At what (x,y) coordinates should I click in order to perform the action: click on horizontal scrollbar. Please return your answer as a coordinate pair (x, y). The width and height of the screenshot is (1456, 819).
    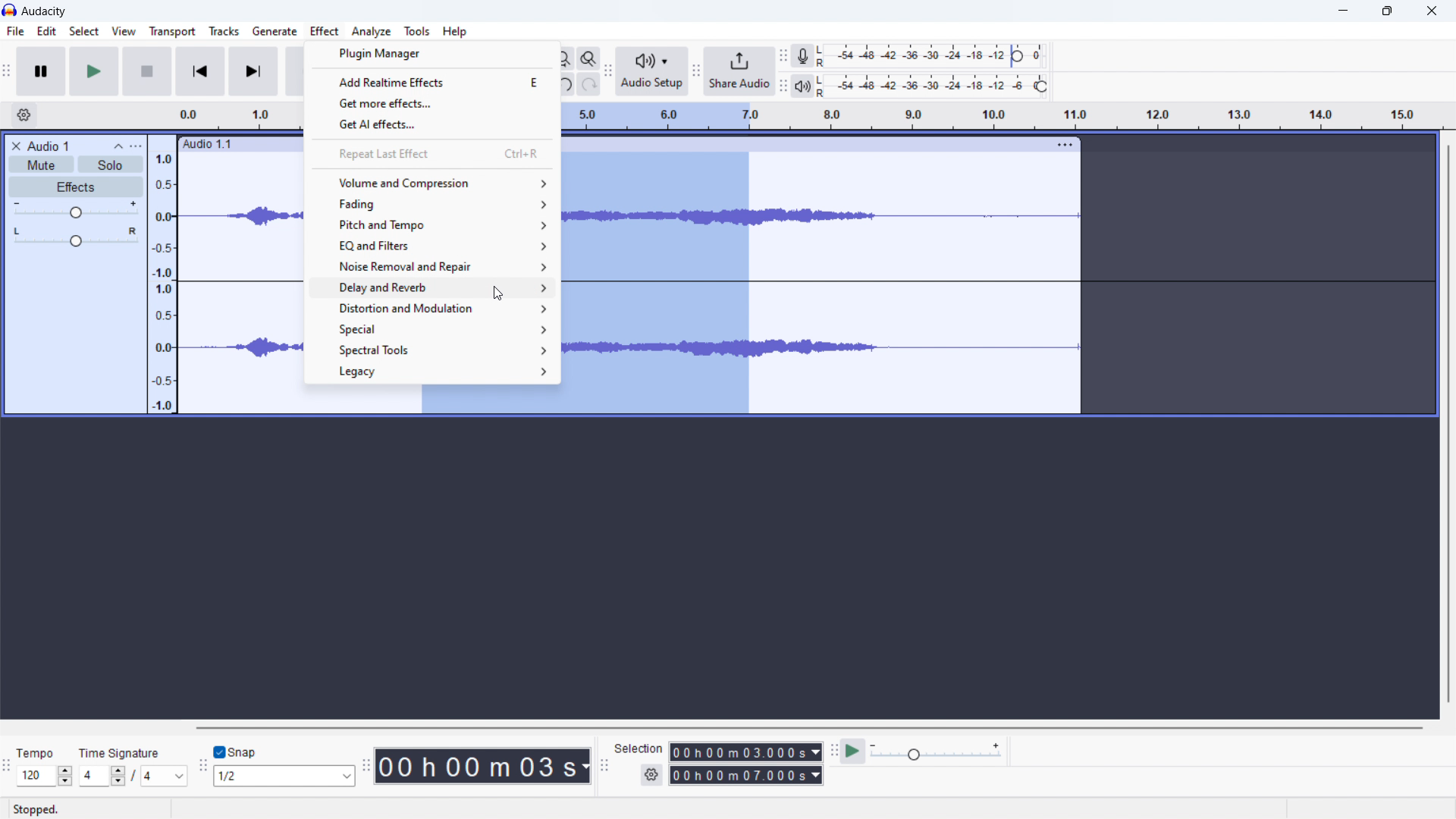
    Looking at the image, I should click on (811, 728).